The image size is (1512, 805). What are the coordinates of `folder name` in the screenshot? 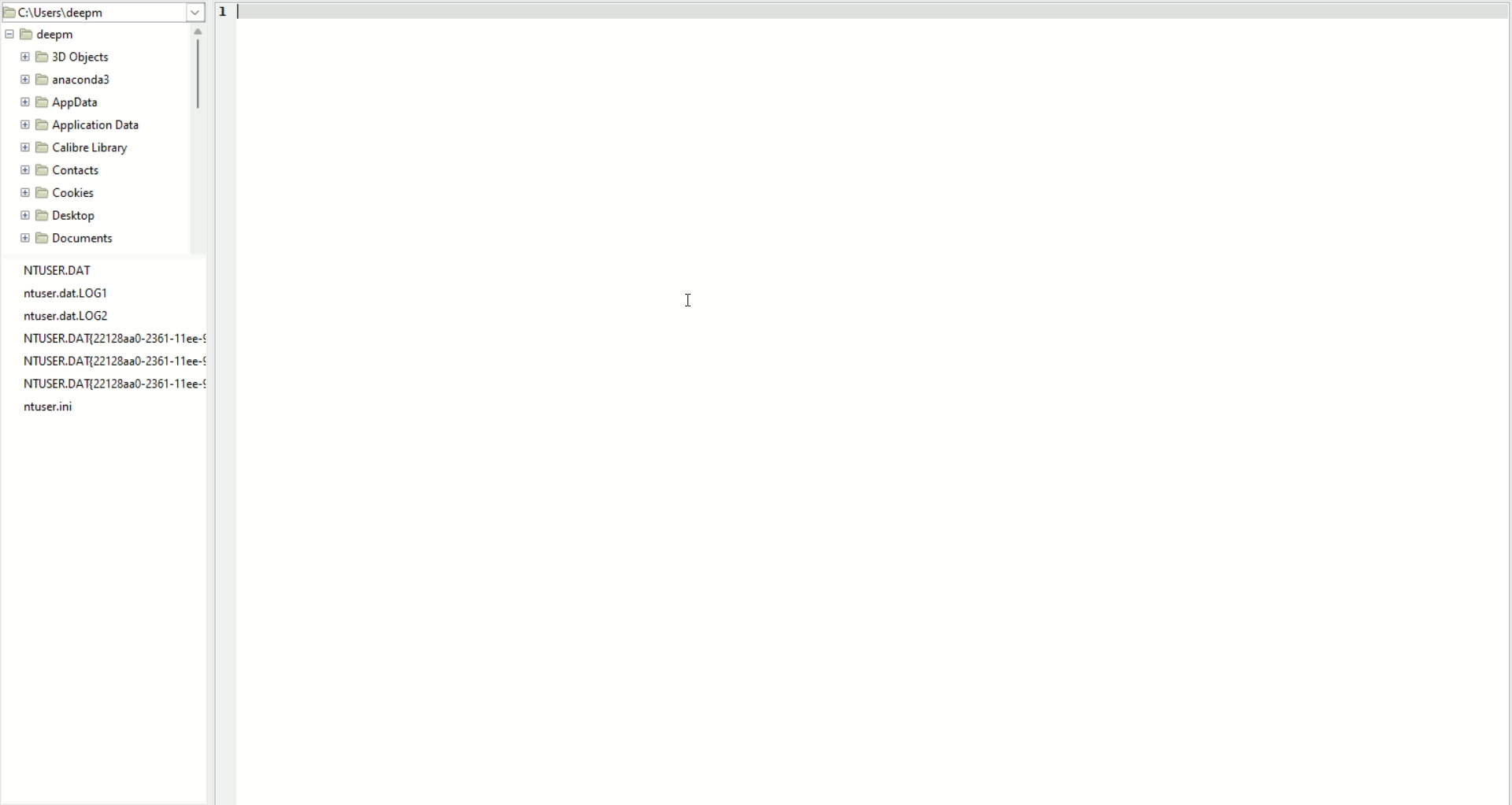 It's located at (60, 216).